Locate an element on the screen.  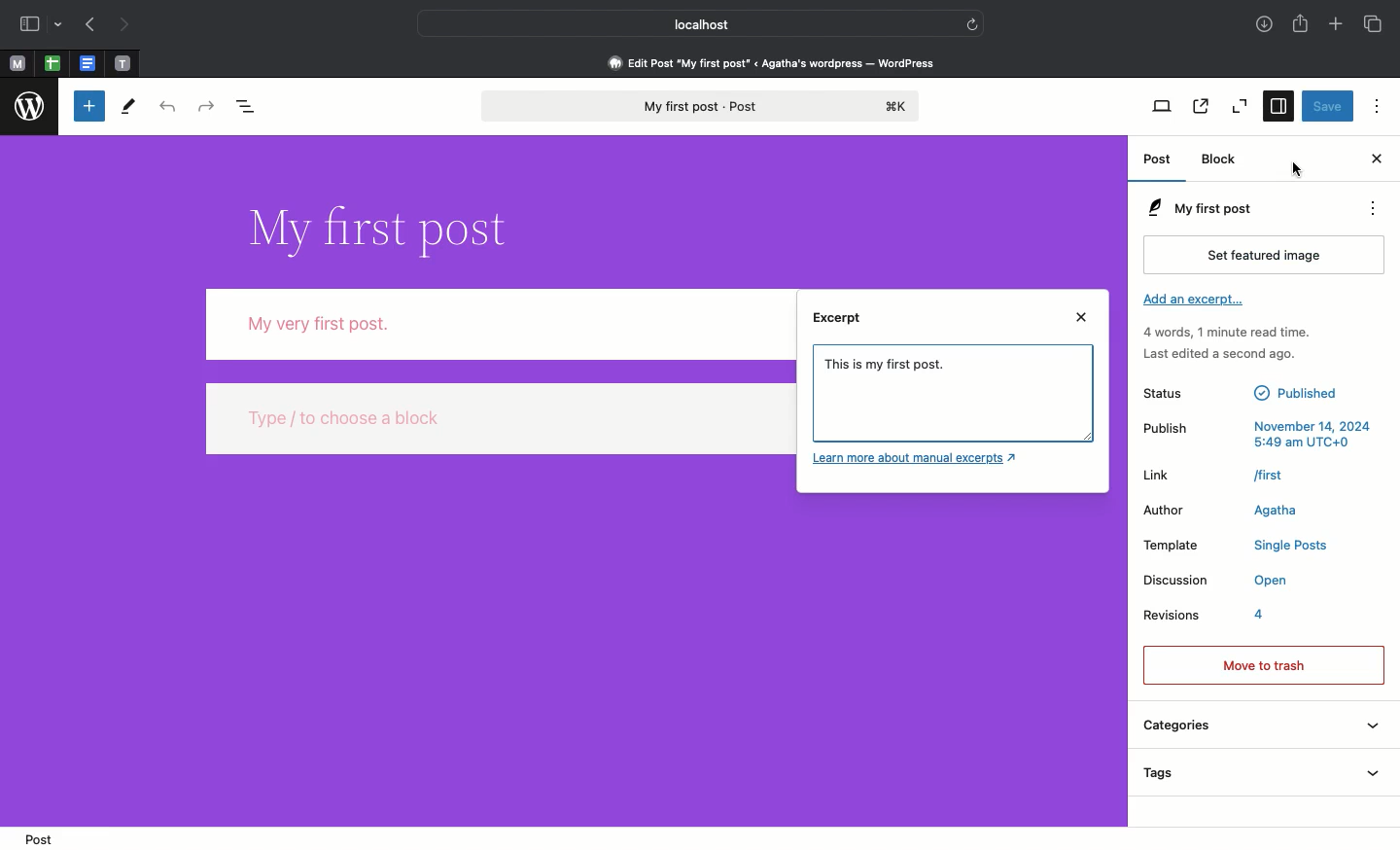
Link is located at coordinates (1215, 475).